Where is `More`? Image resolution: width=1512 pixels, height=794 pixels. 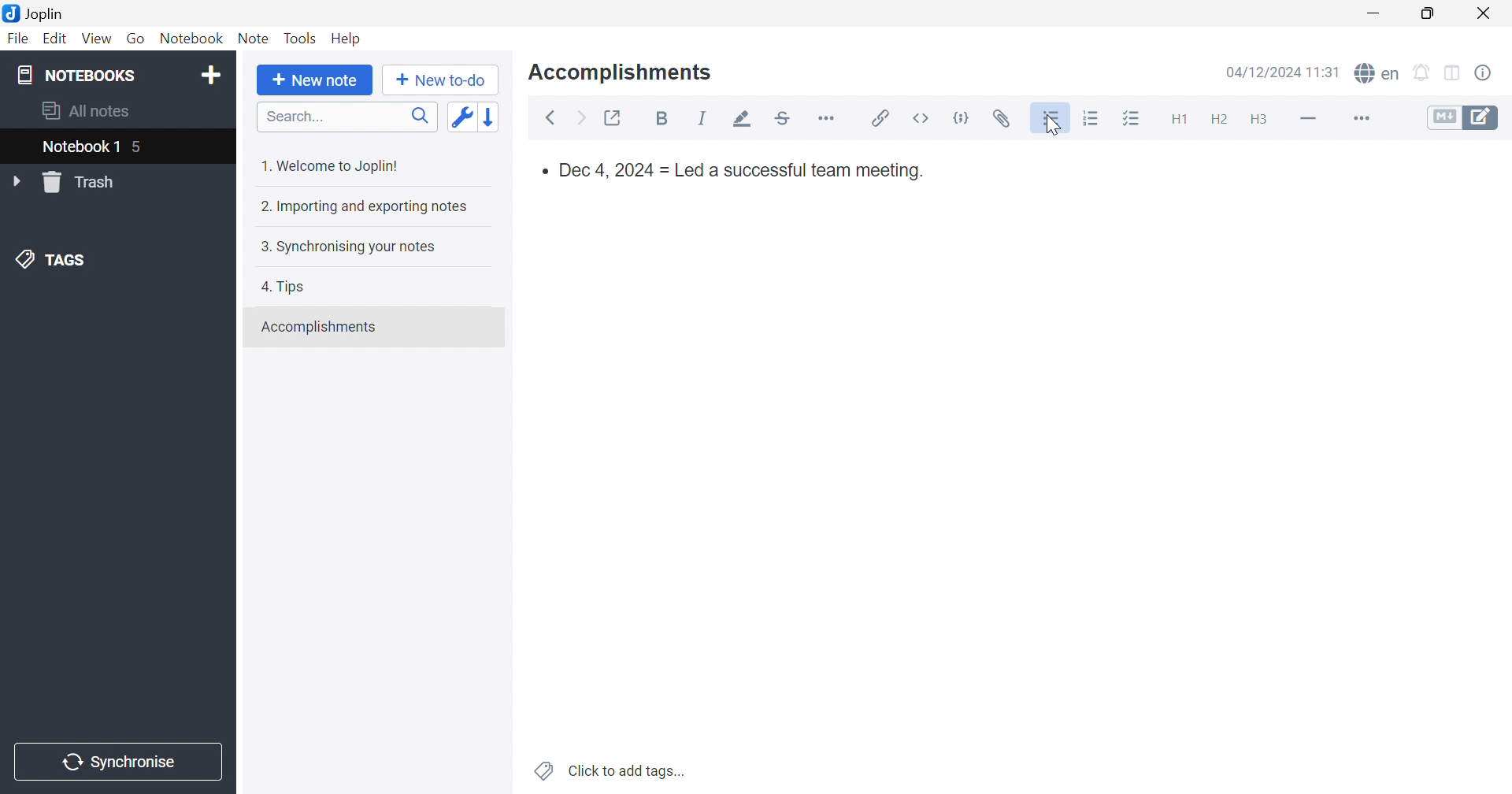 More is located at coordinates (1362, 121).